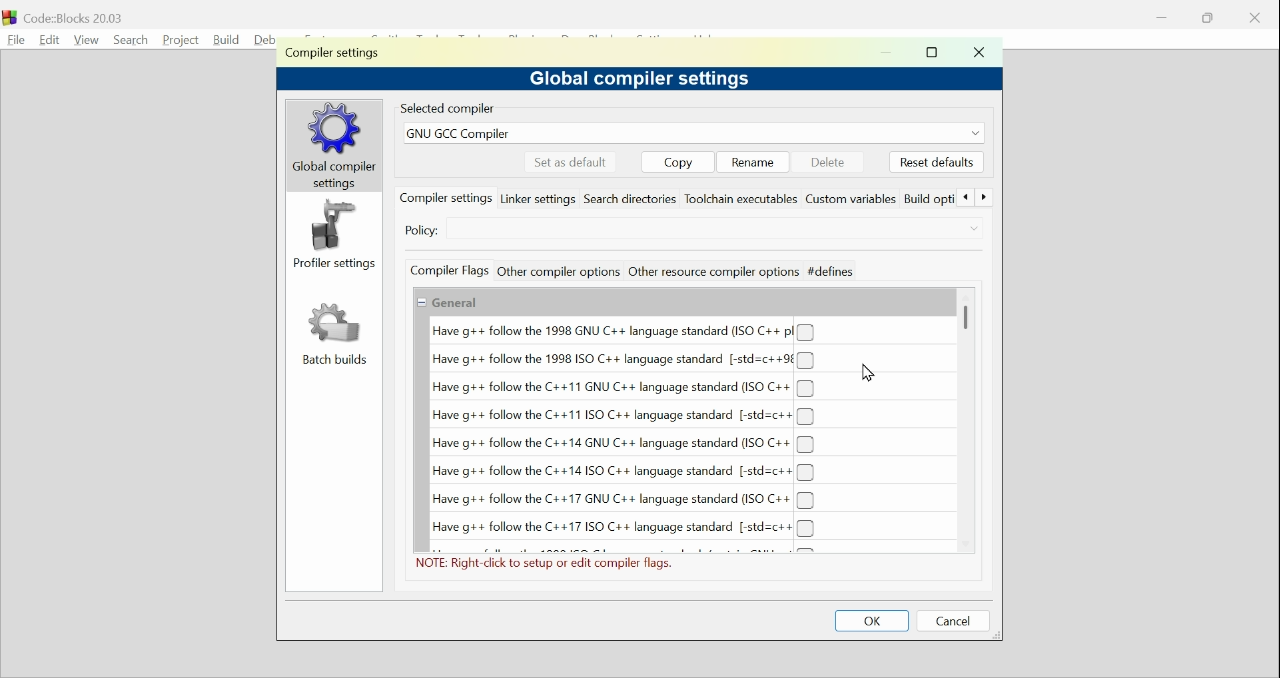 The image size is (1280, 678). I want to click on Other resource compiler options, so click(712, 270).